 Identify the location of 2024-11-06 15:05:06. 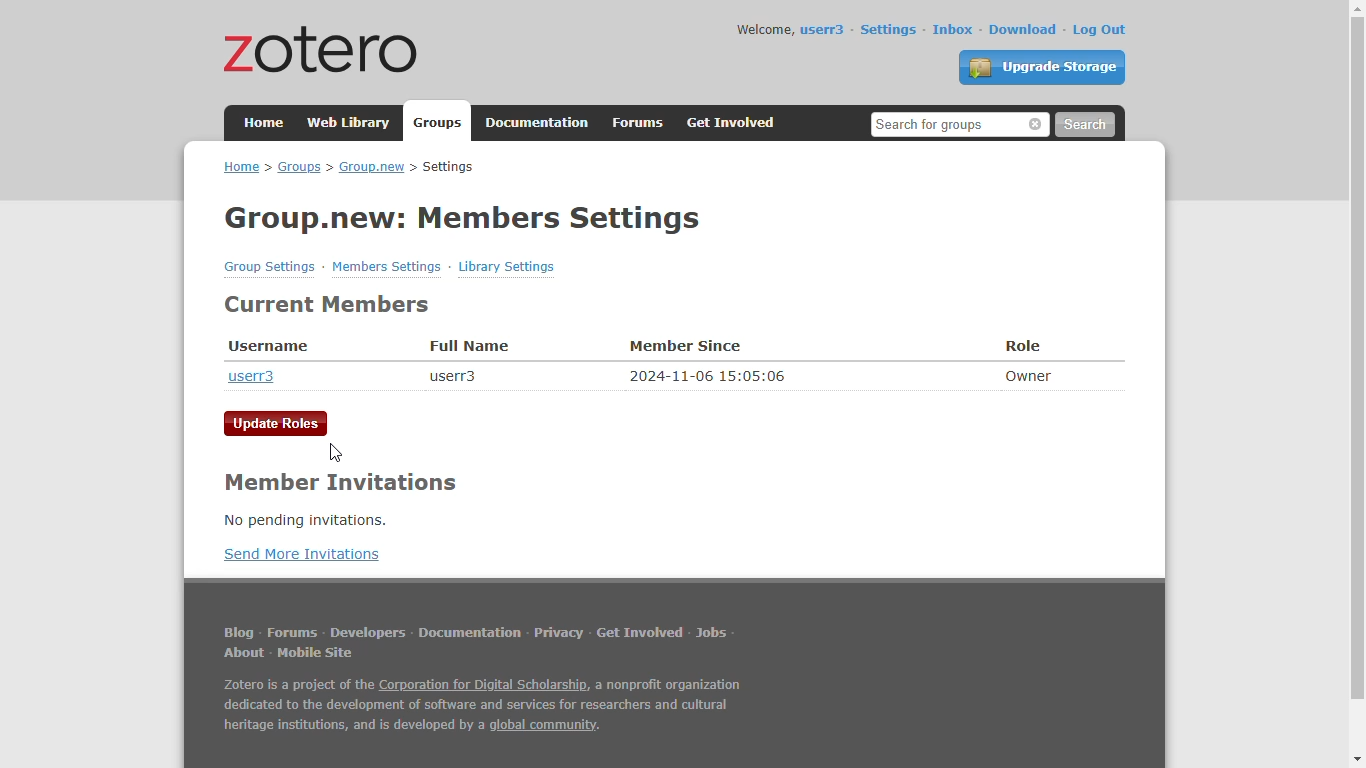
(709, 375).